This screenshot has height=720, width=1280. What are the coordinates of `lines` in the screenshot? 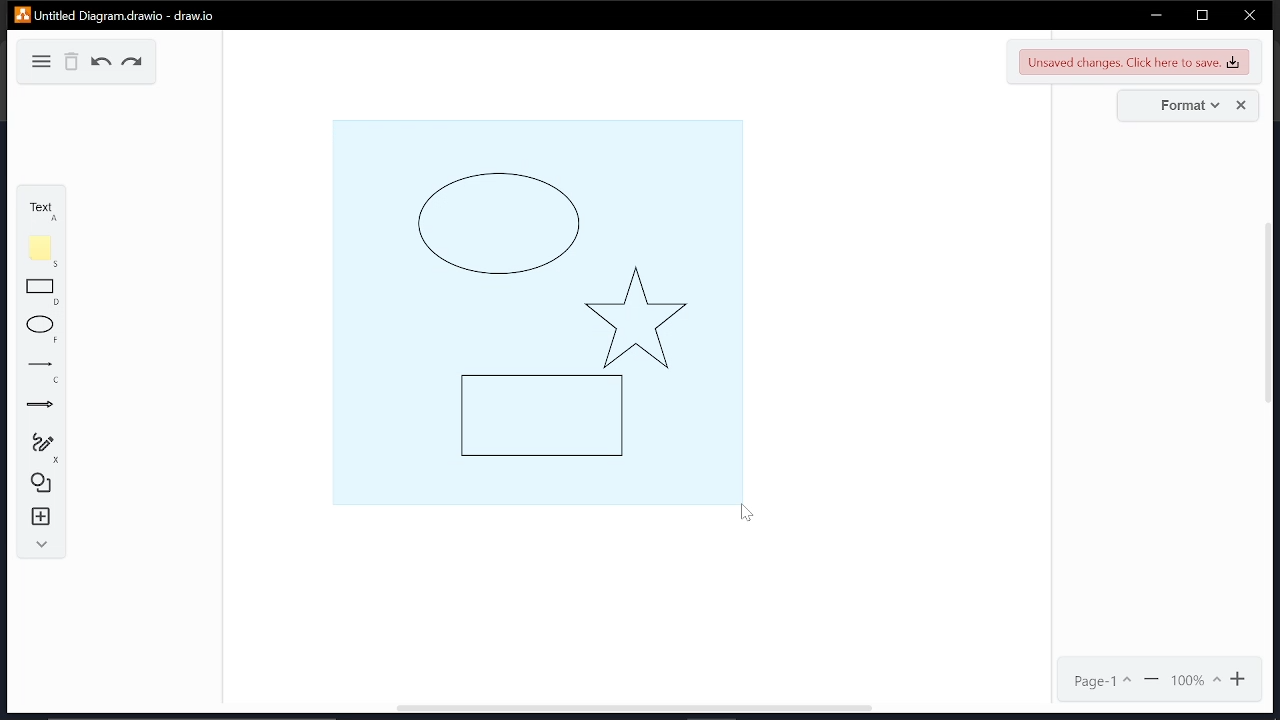 It's located at (44, 372).